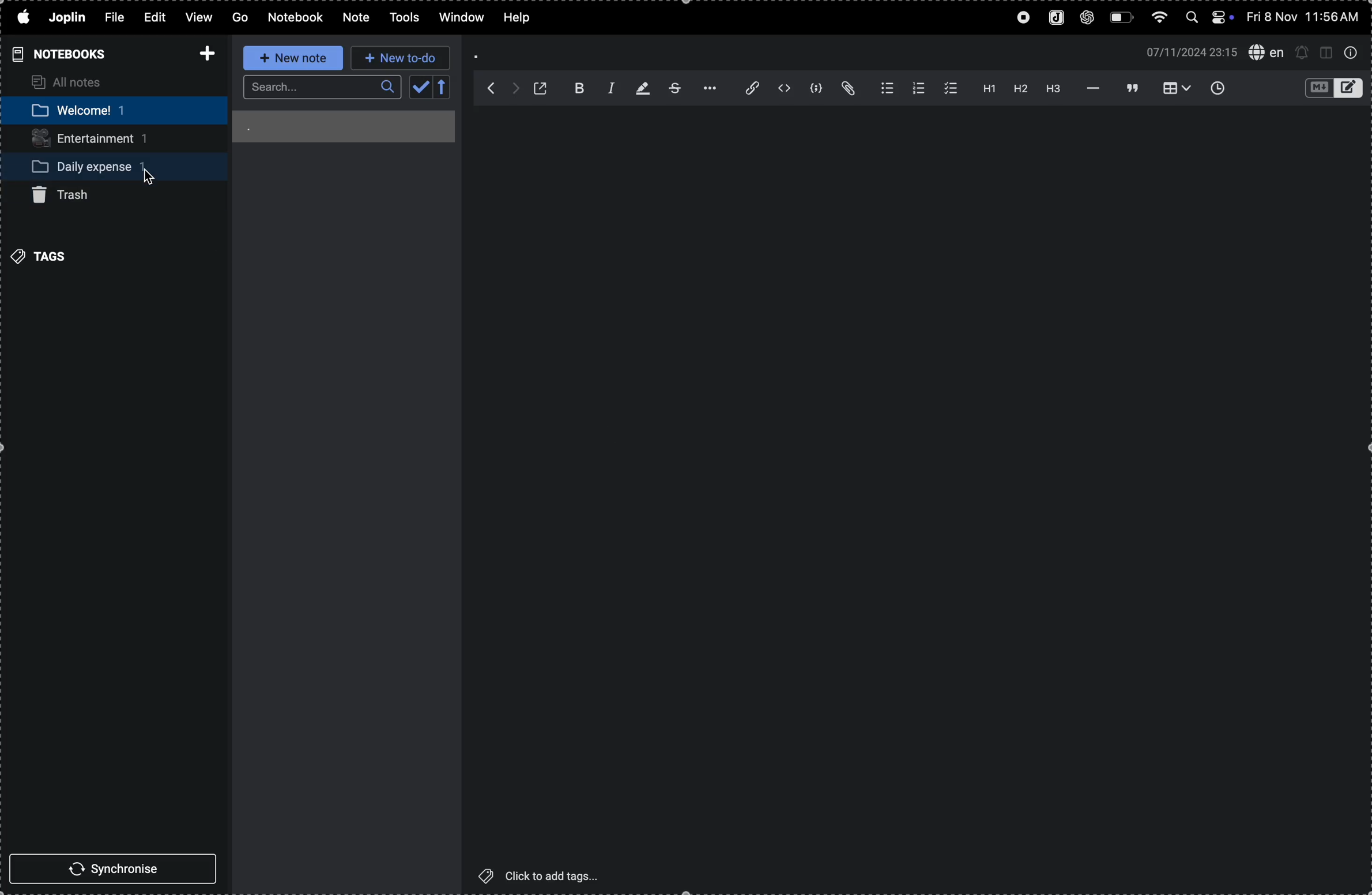 The height and width of the screenshot is (895, 1372). What do you see at coordinates (43, 255) in the screenshot?
I see `tags` at bounding box center [43, 255].